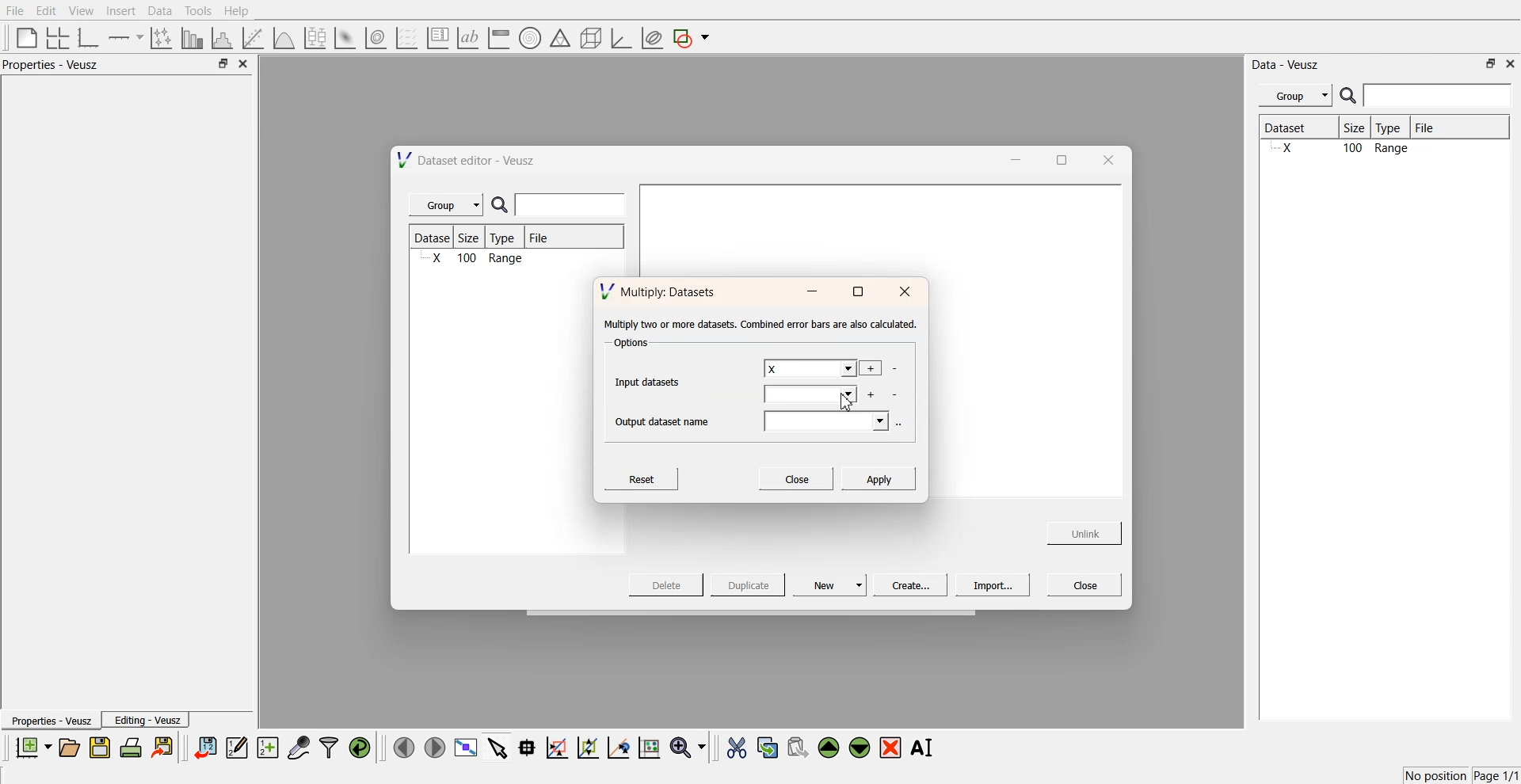 This screenshot has width=1521, height=784. I want to click on input dataset field, so click(811, 396).